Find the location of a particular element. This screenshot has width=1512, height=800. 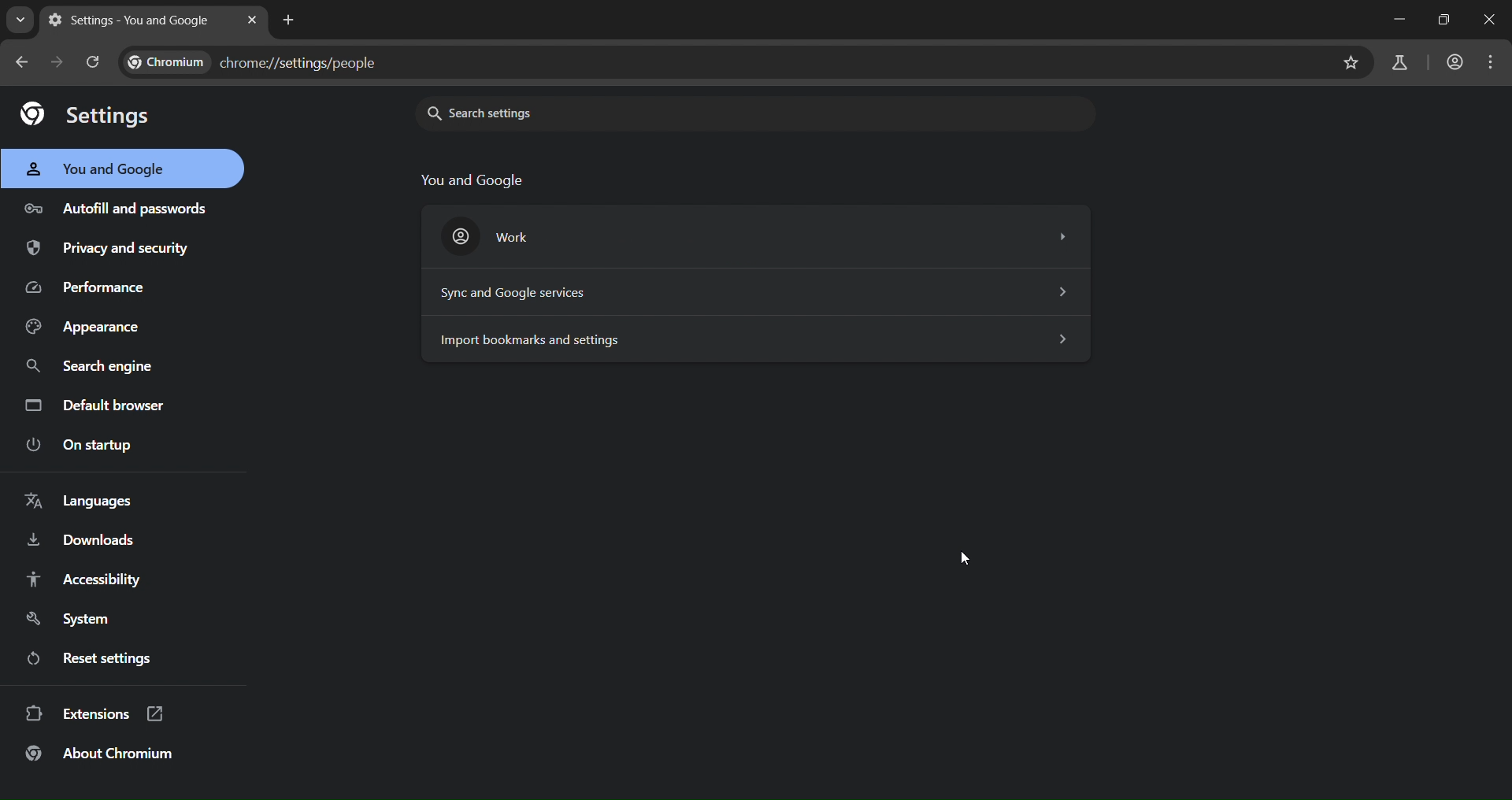

restore down is located at coordinates (1438, 19).